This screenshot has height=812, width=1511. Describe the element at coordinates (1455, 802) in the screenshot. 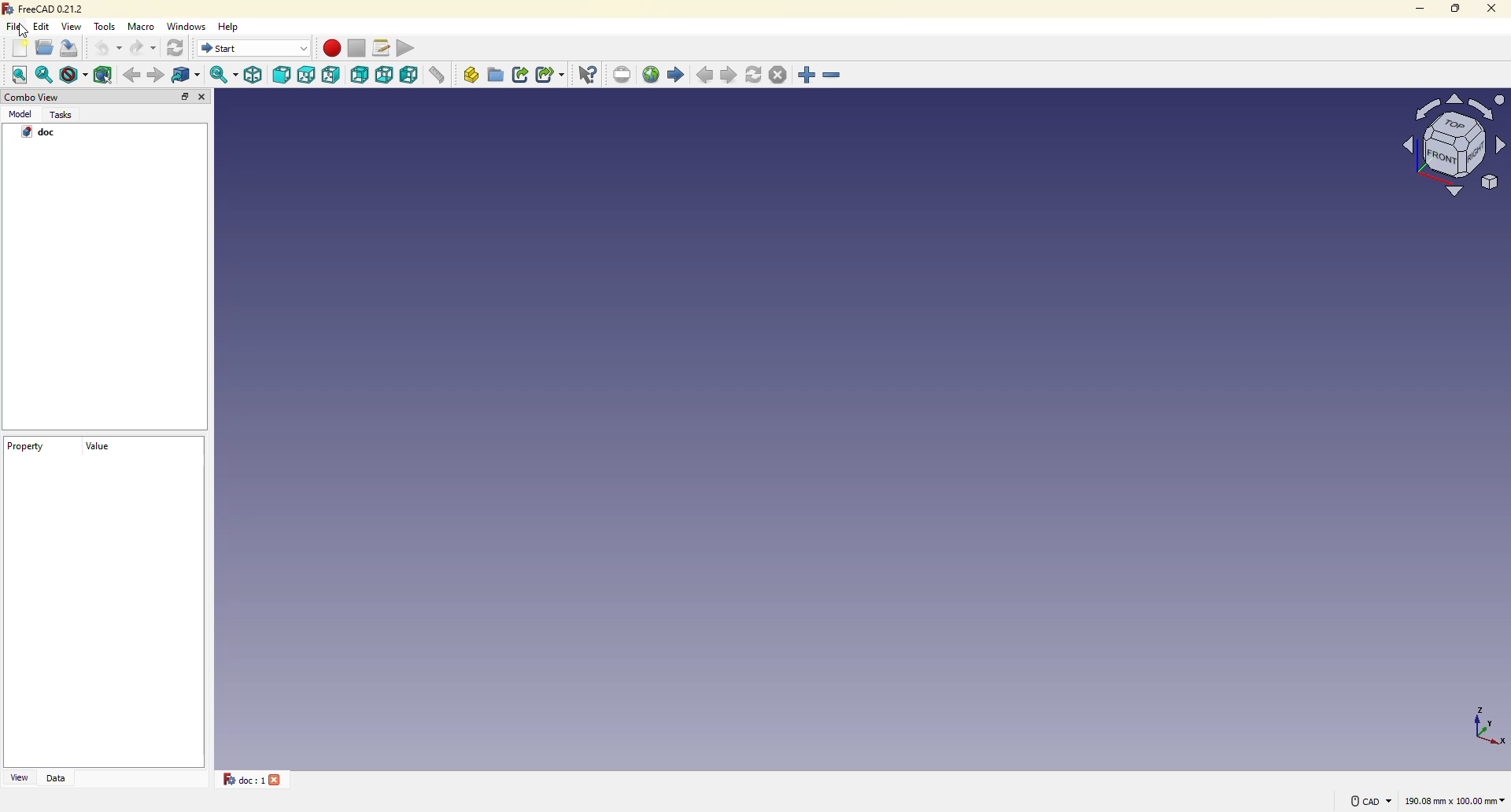

I see `area` at that location.